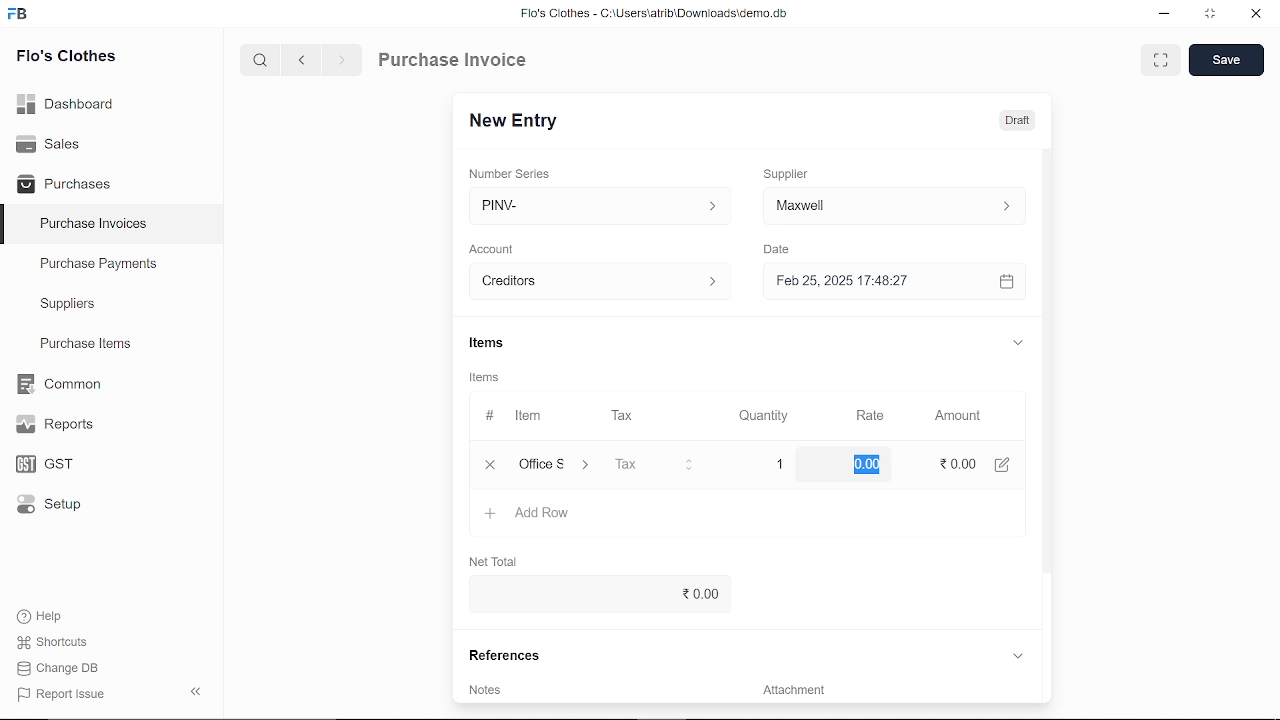 The height and width of the screenshot is (720, 1280). What do you see at coordinates (58, 694) in the screenshot?
I see `J Report Issue` at bounding box center [58, 694].